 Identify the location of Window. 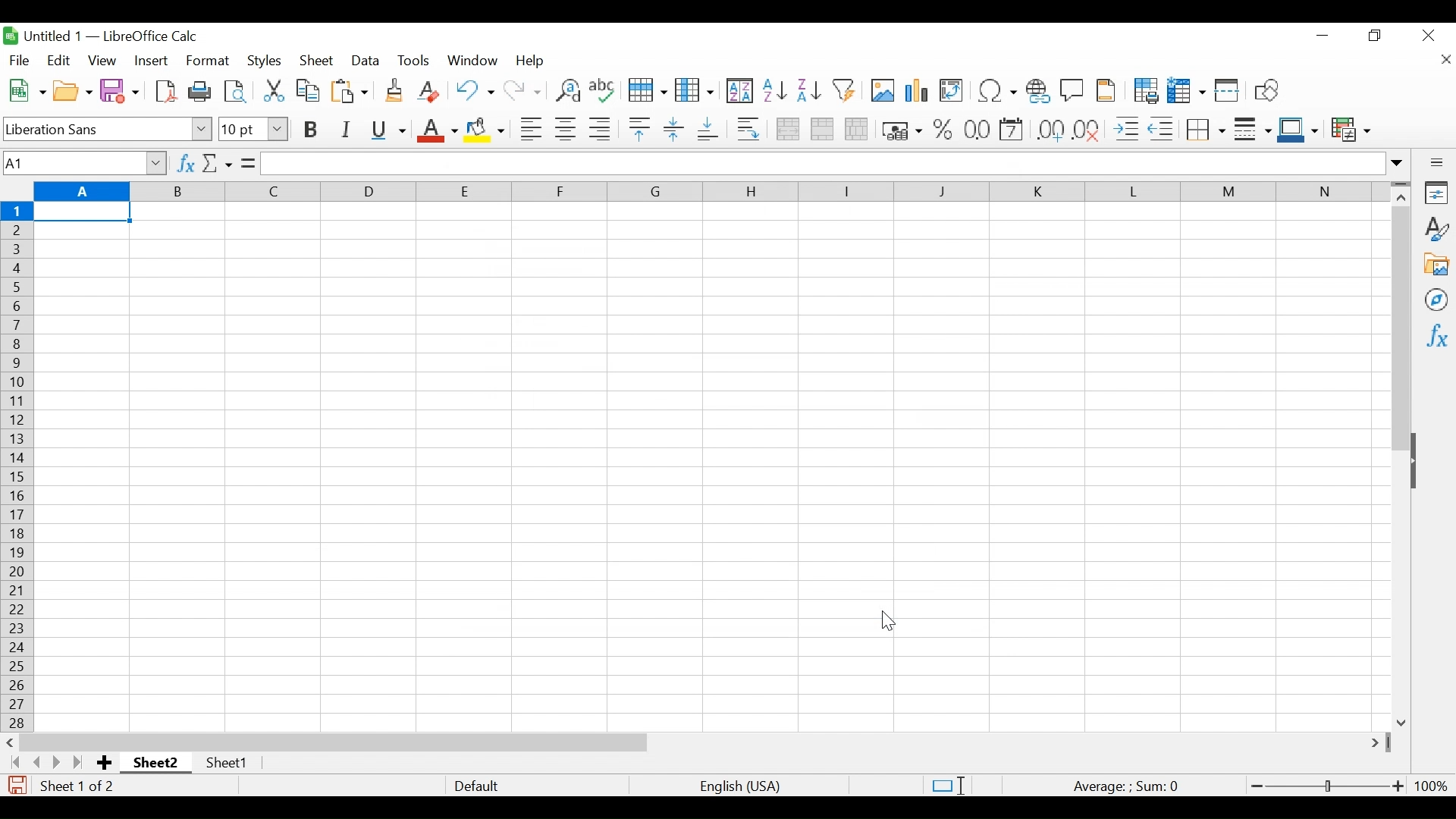
(472, 61).